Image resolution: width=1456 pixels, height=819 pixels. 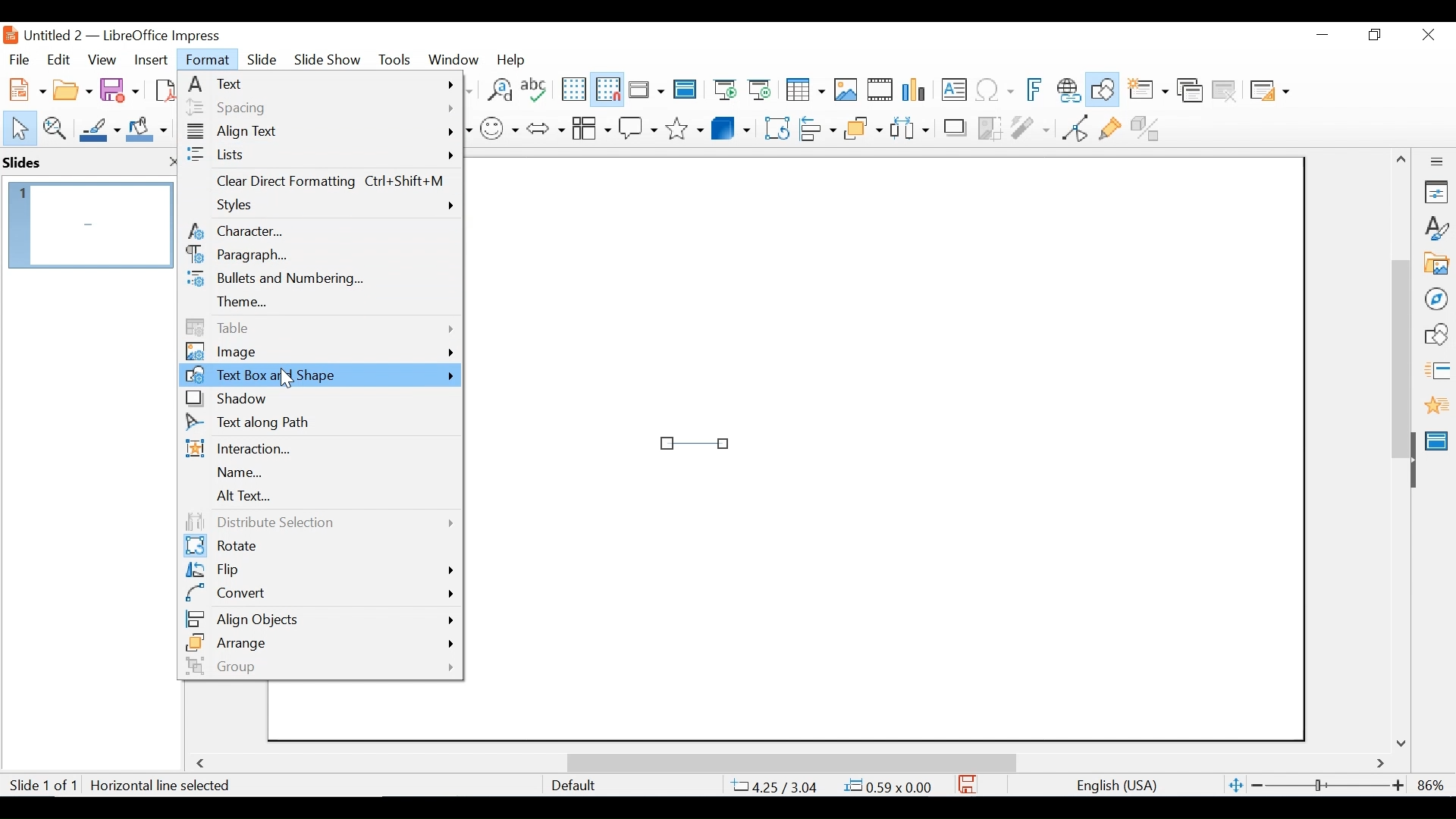 I want to click on image, so click(x=319, y=352).